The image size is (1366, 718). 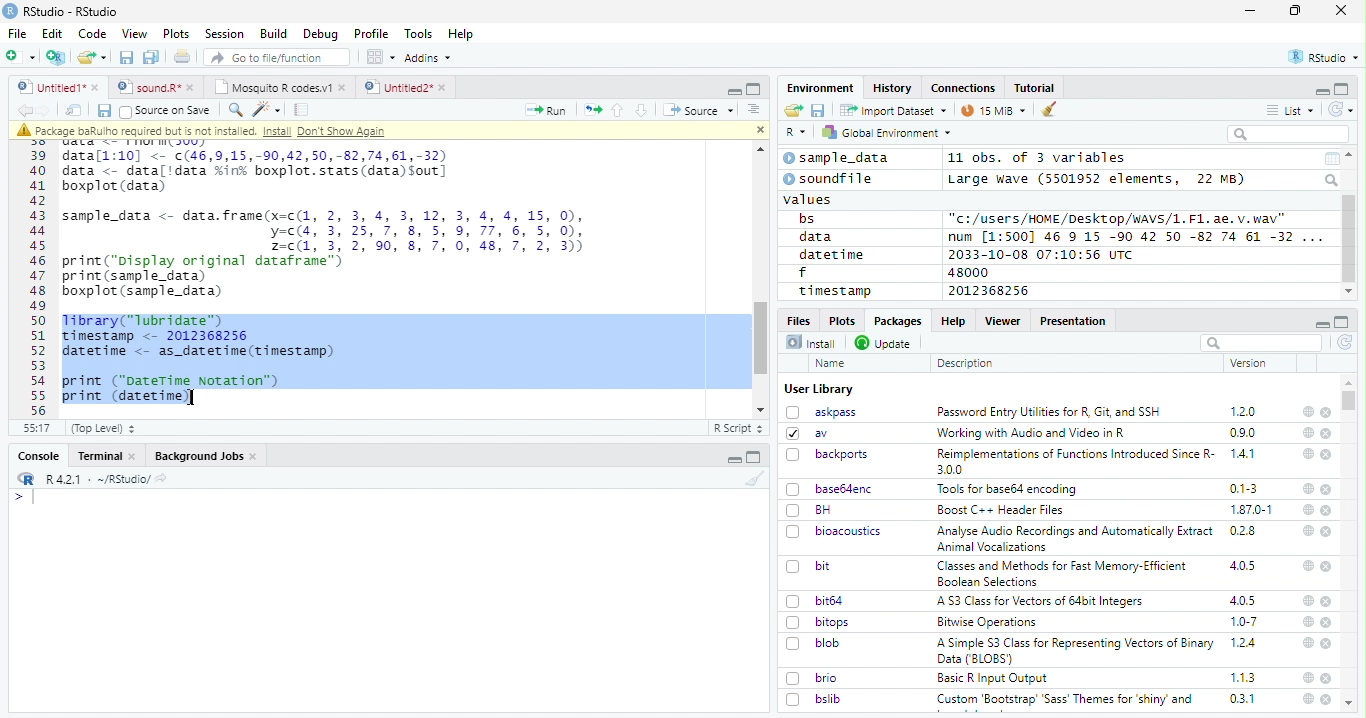 What do you see at coordinates (831, 254) in the screenshot?
I see `datetime` at bounding box center [831, 254].